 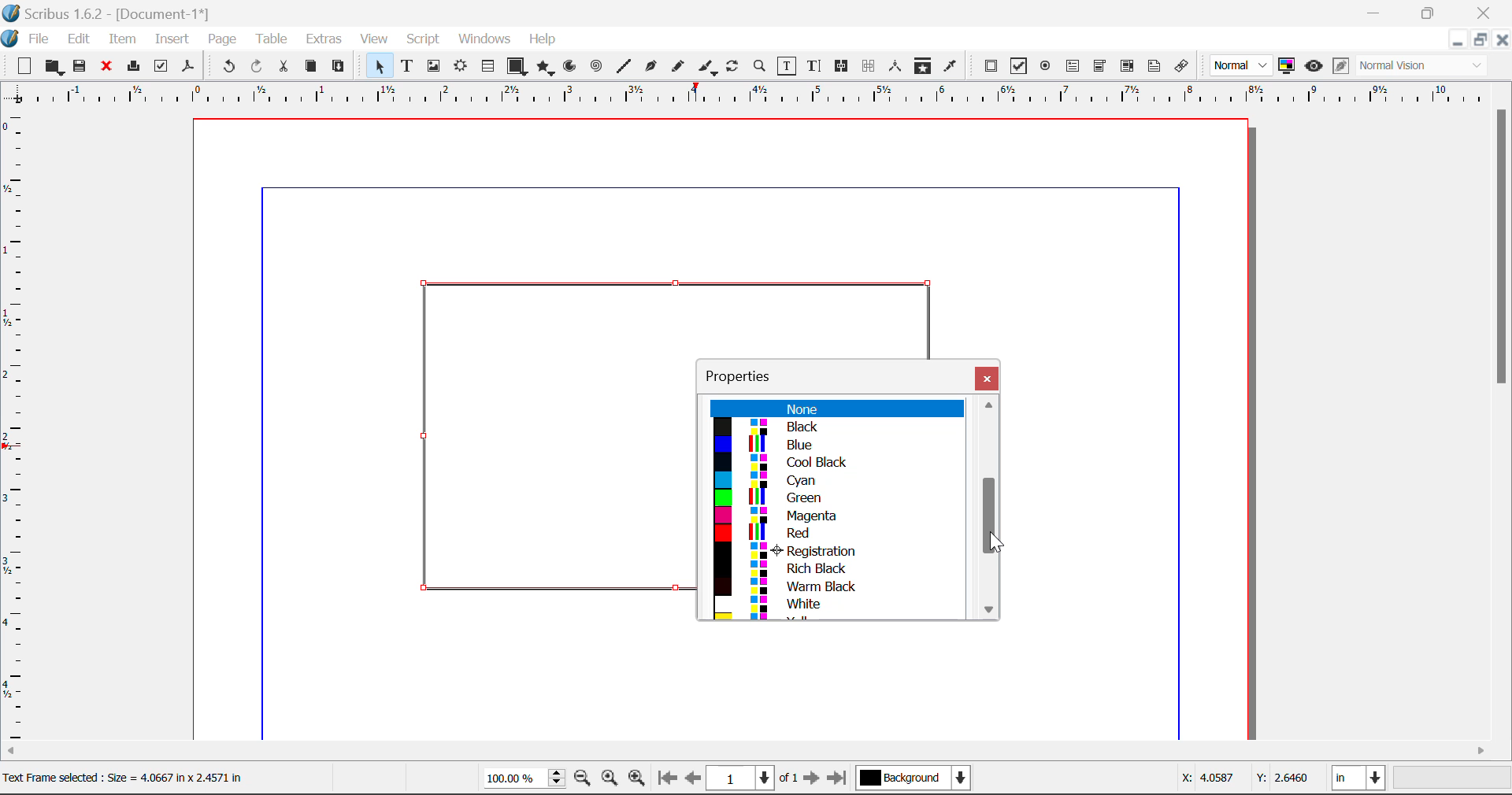 What do you see at coordinates (23, 66) in the screenshot?
I see `New` at bounding box center [23, 66].